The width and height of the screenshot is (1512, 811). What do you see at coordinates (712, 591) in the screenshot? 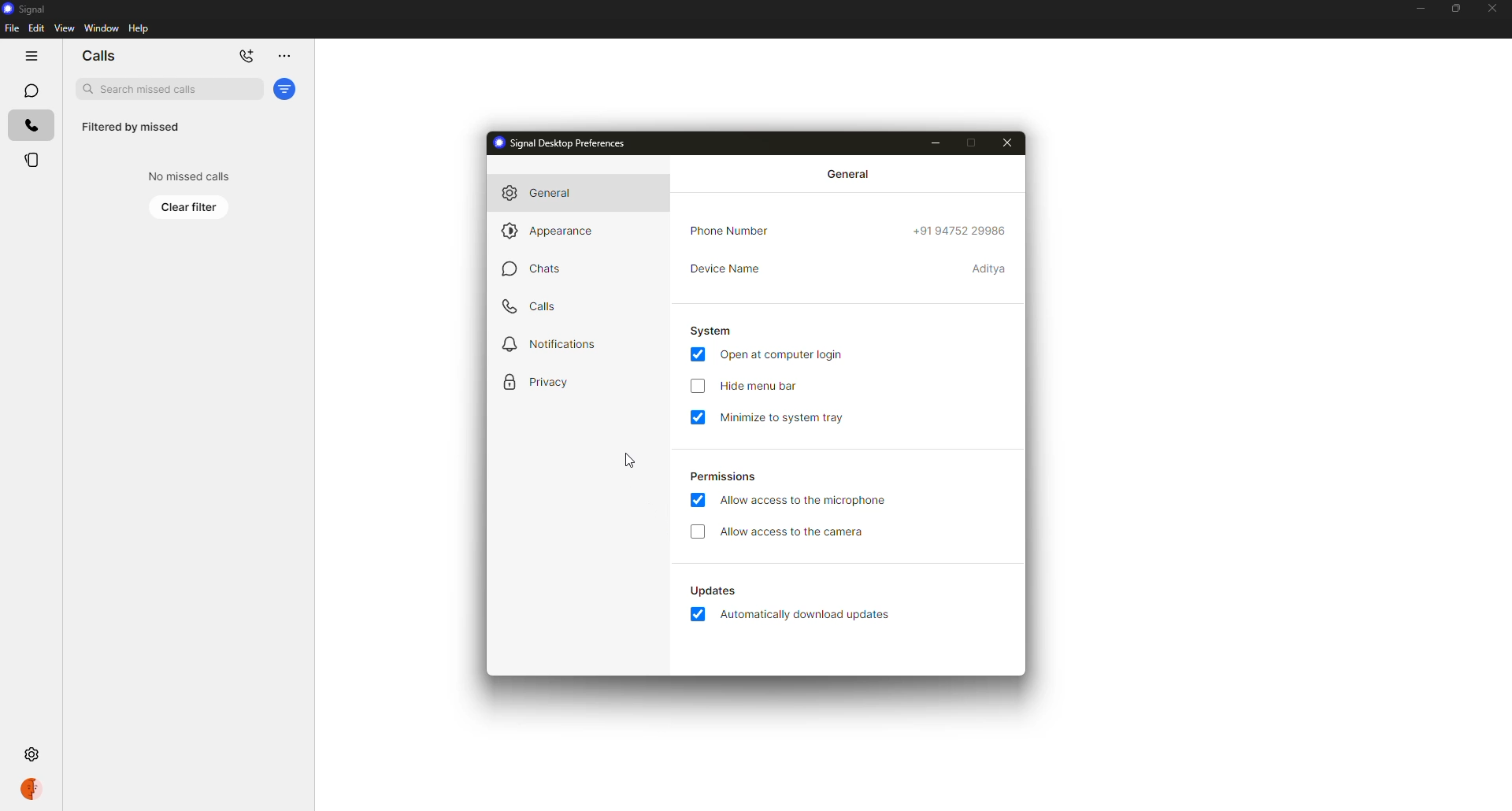
I see `updates` at bounding box center [712, 591].